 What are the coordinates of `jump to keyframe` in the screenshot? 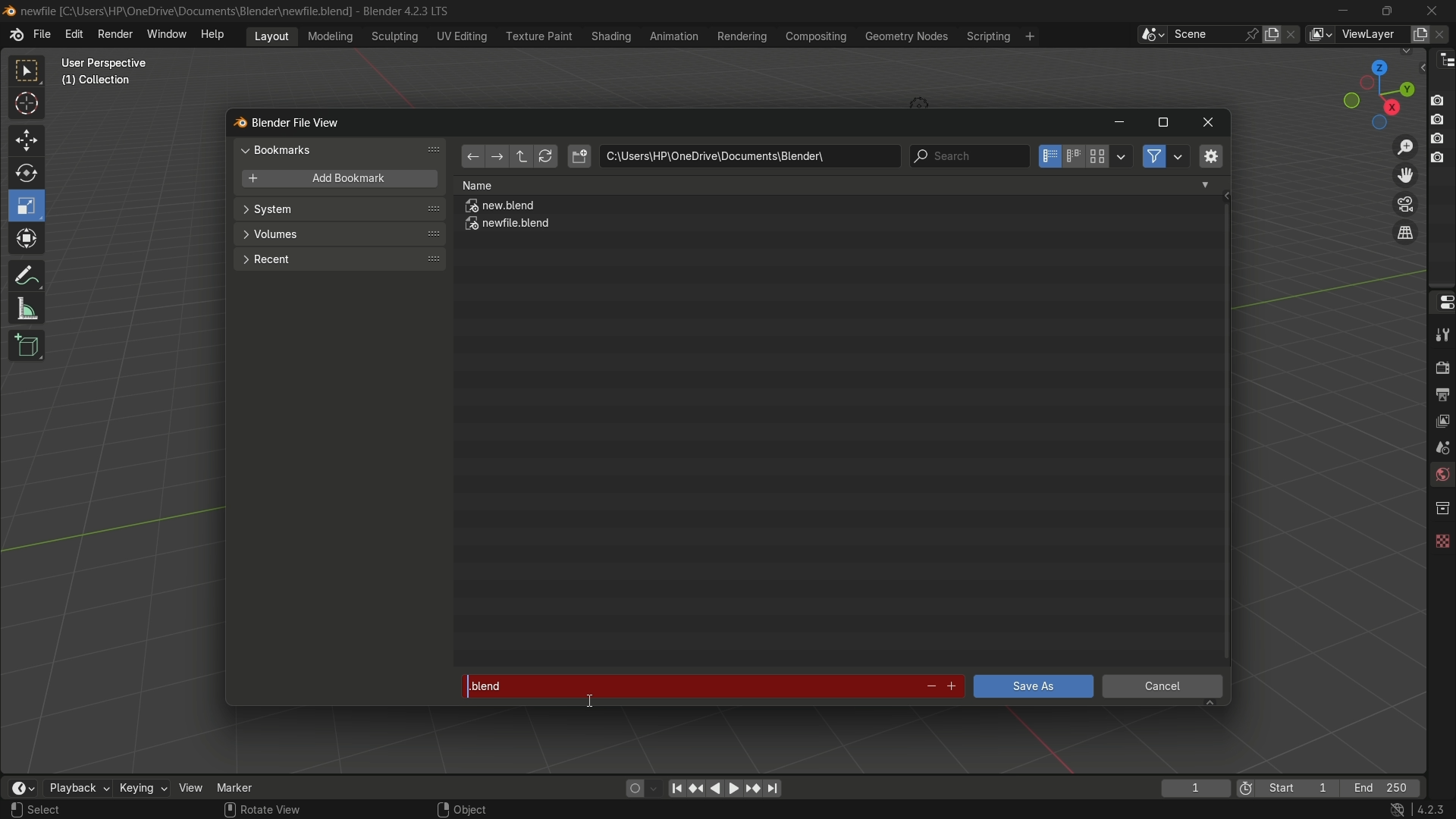 It's located at (697, 786).